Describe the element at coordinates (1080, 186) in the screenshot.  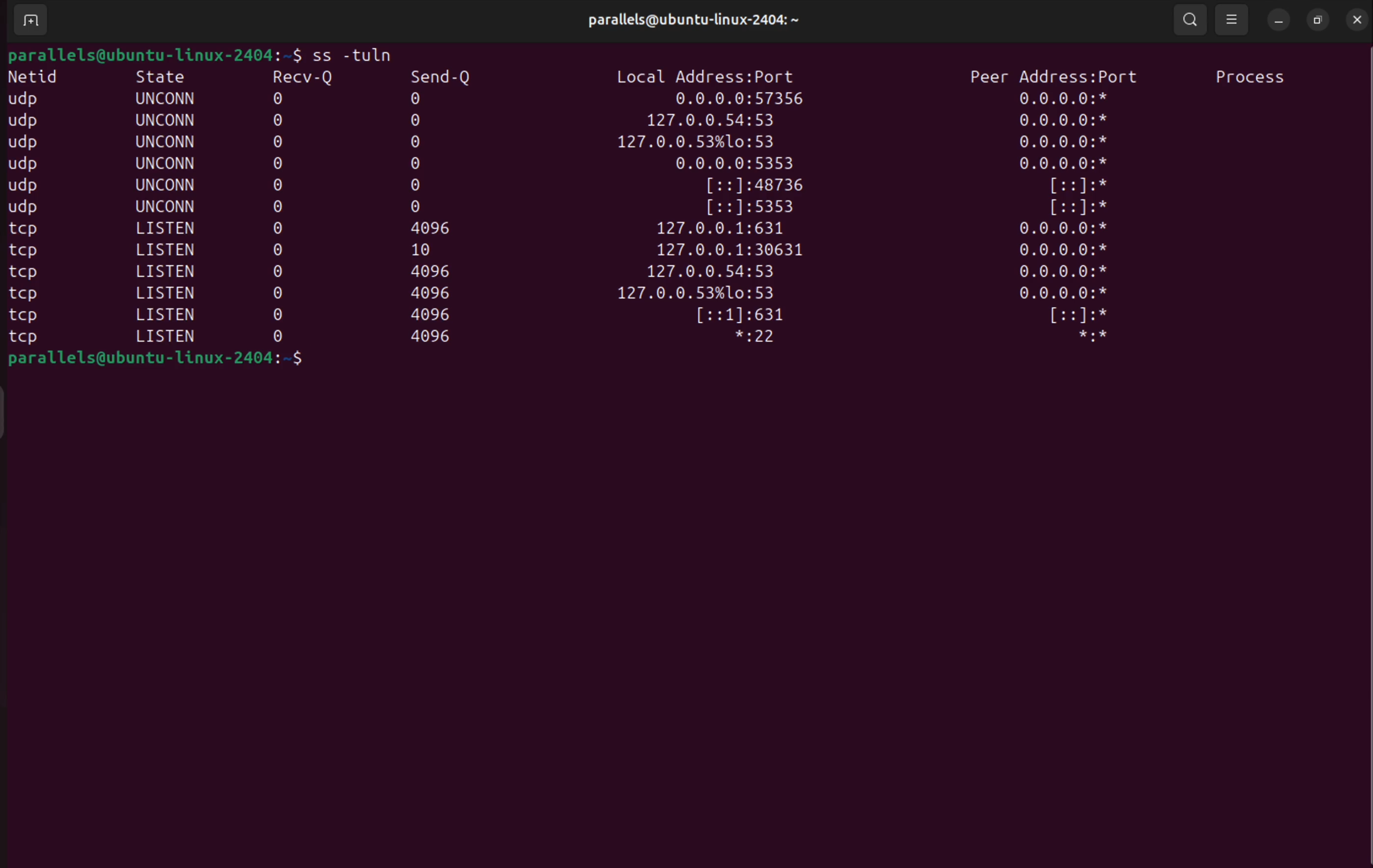
I see `*` at that location.